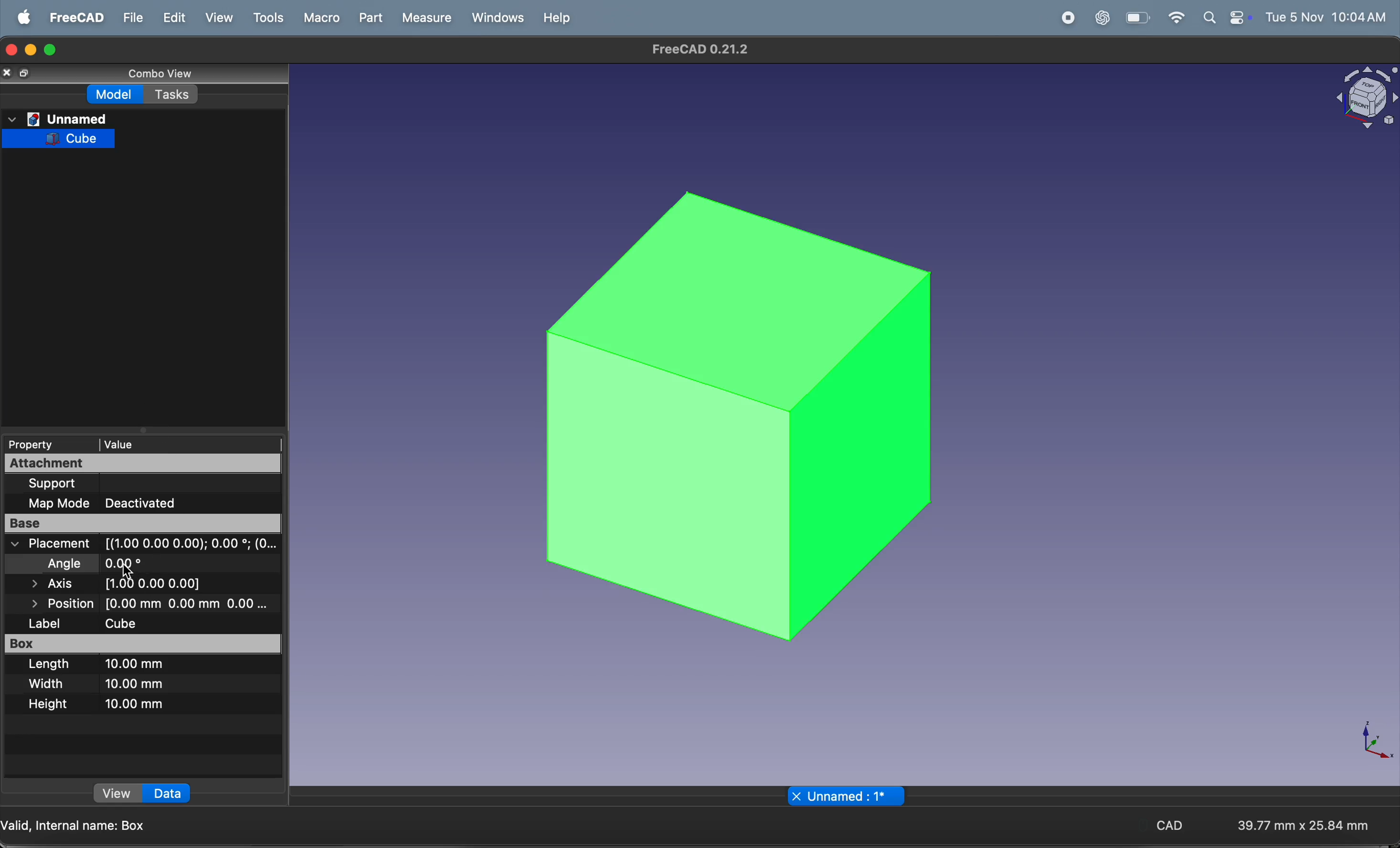  Describe the element at coordinates (176, 504) in the screenshot. I see `deactivate` at that location.